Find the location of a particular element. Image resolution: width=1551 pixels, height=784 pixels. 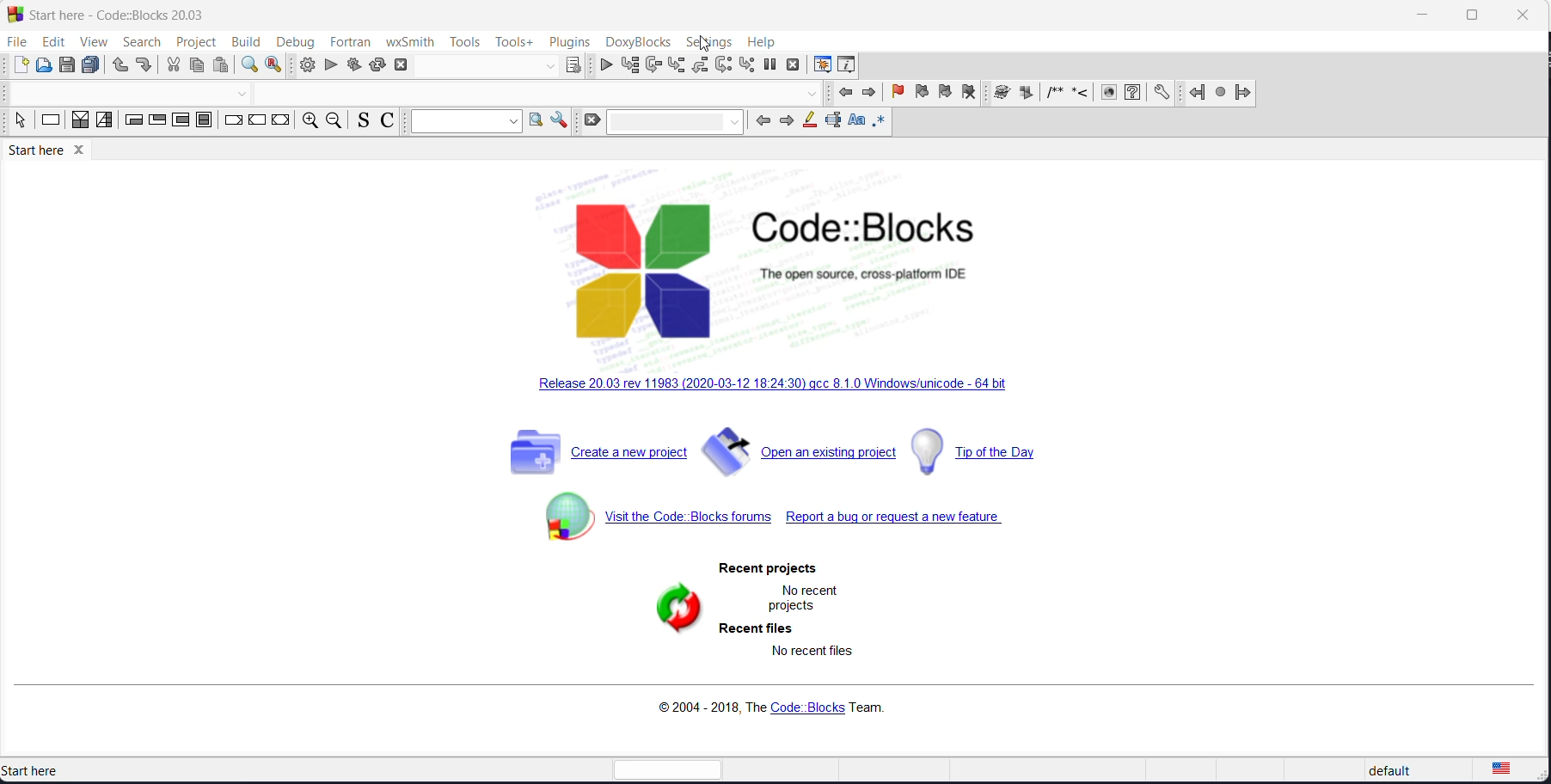

step out is located at coordinates (700, 65).